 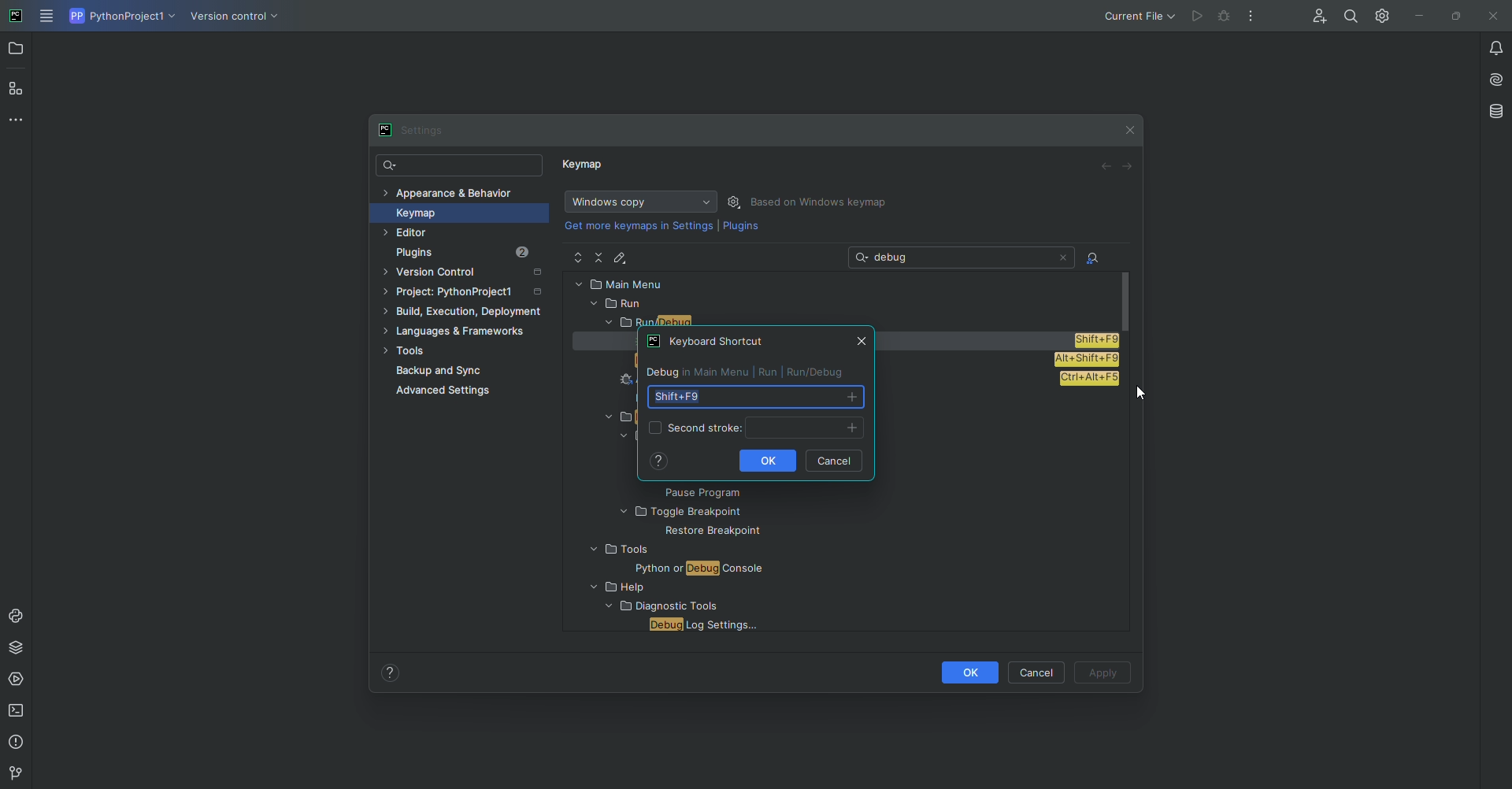 What do you see at coordinates (706, 339) in the screenshot?
I see `WINDOW TITLE` at bounding box center [706, 339].